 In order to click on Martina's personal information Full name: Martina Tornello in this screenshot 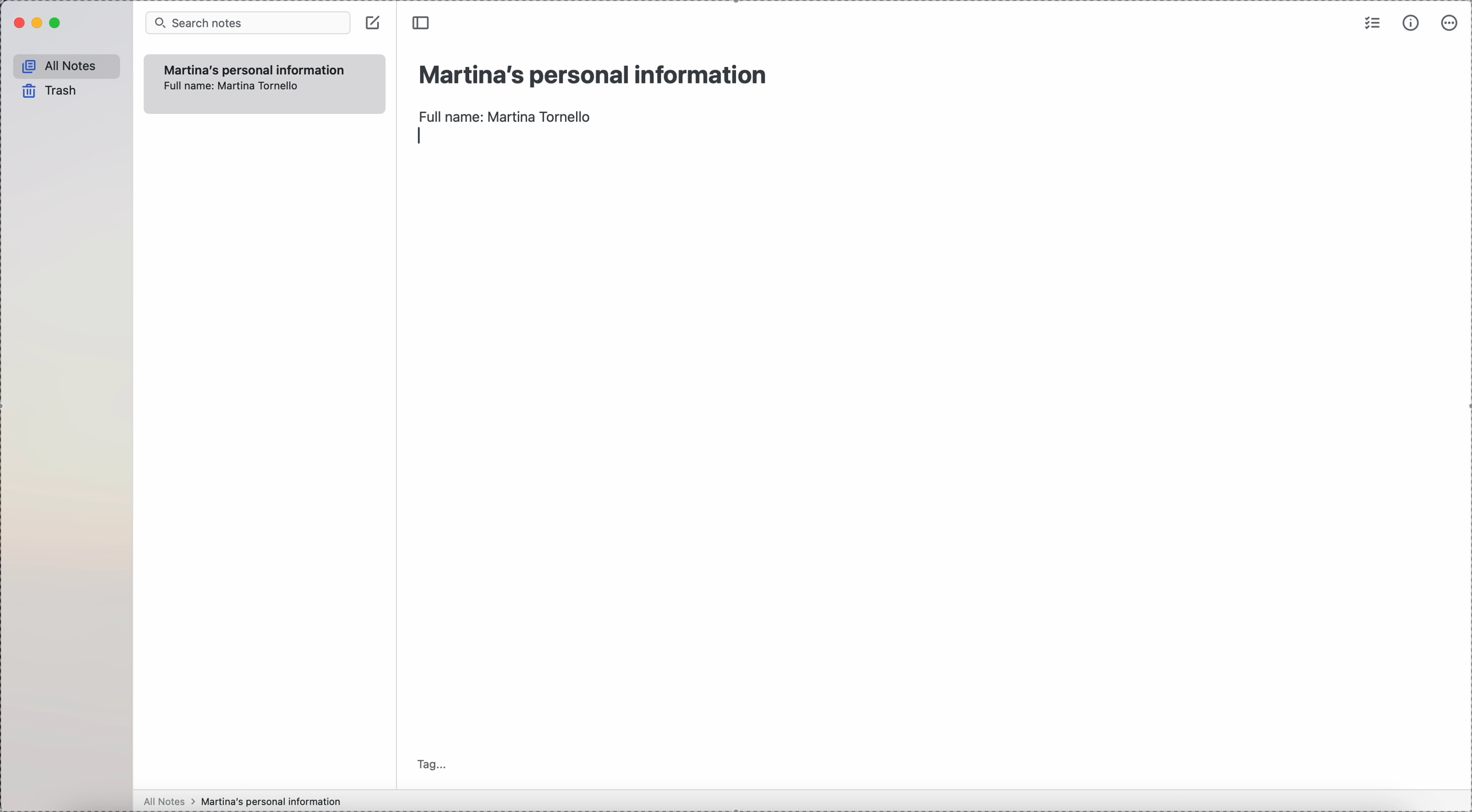, I will do `click(254, 82)`.